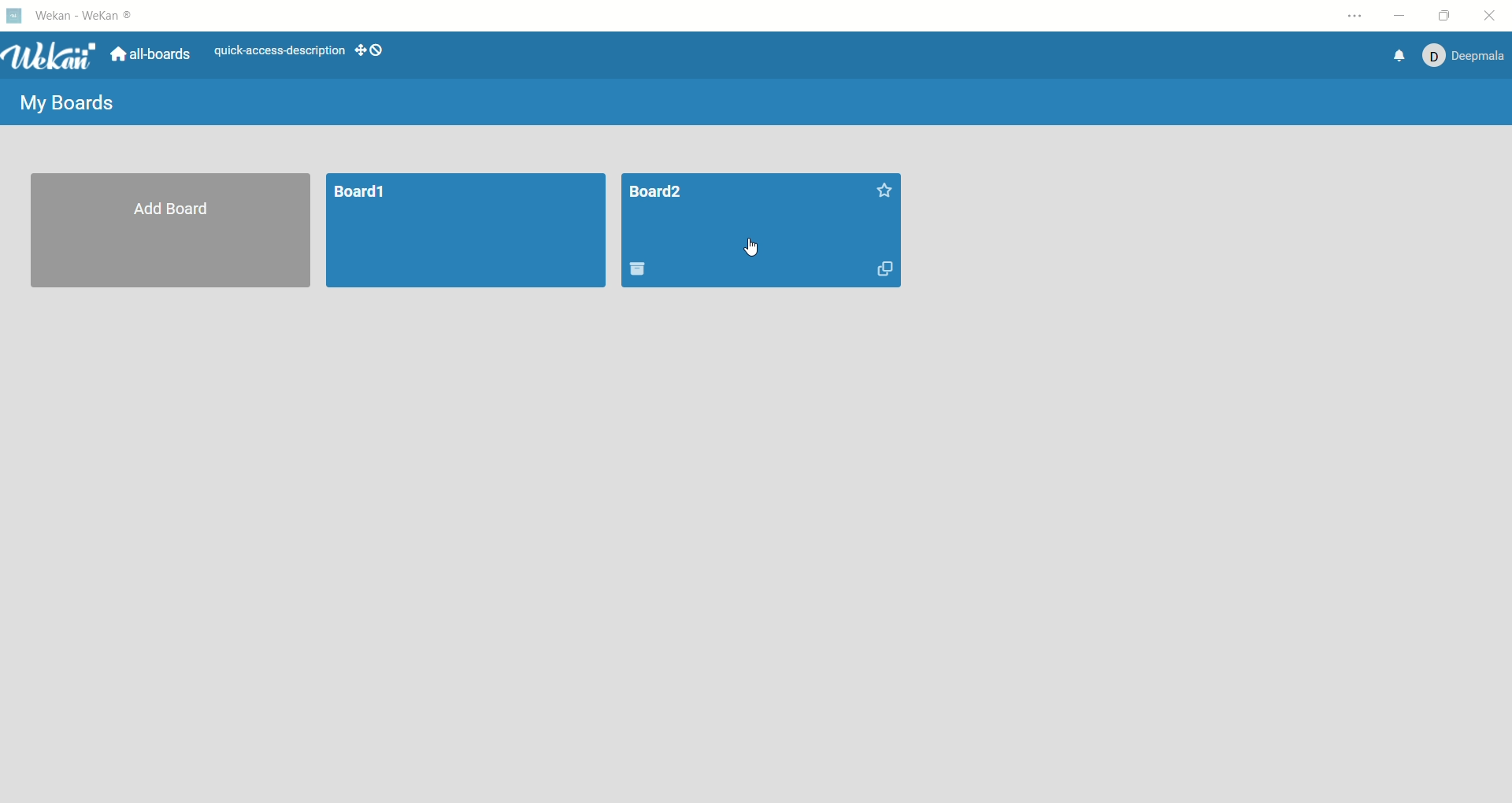 The image size is (1512, 803). What do you see at coordinates (882, 190) in the screenshot?
I see `favorite` at bounding box center [882, 190].